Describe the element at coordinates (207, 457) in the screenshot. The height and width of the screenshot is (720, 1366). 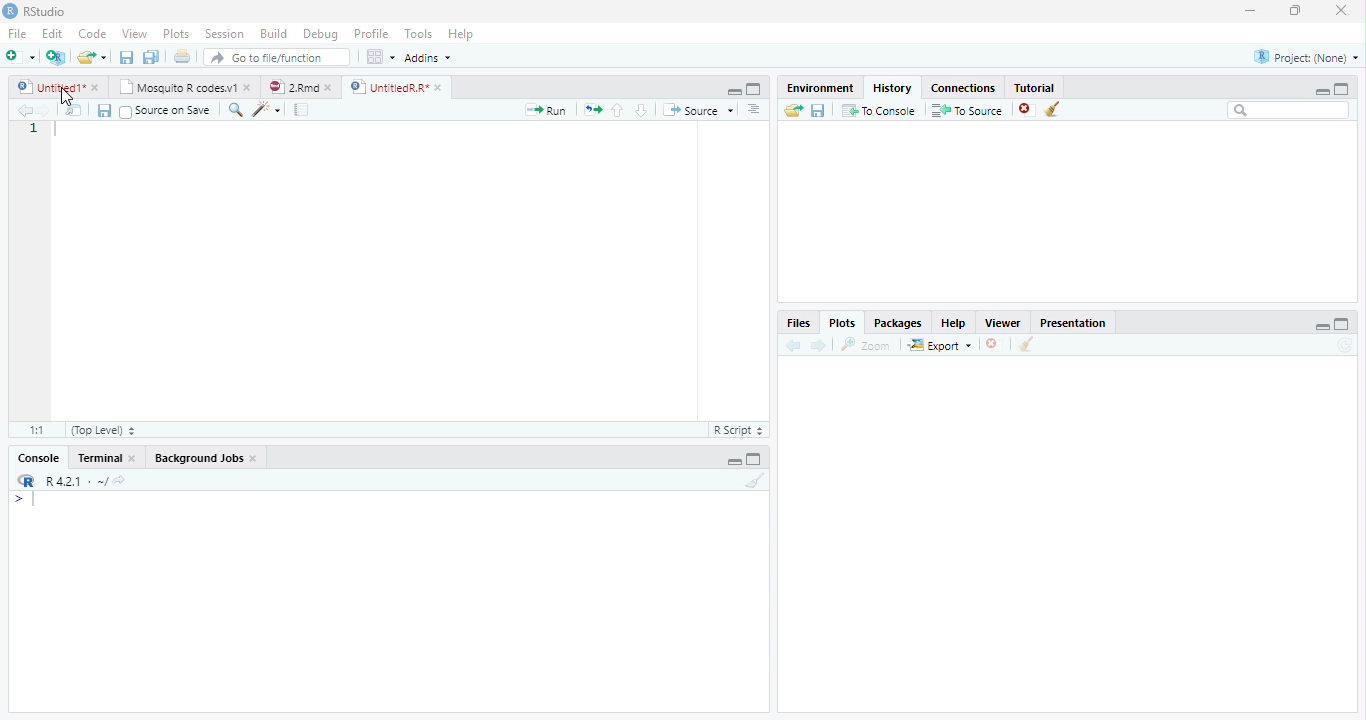
I see `Background Jobs` at that location.